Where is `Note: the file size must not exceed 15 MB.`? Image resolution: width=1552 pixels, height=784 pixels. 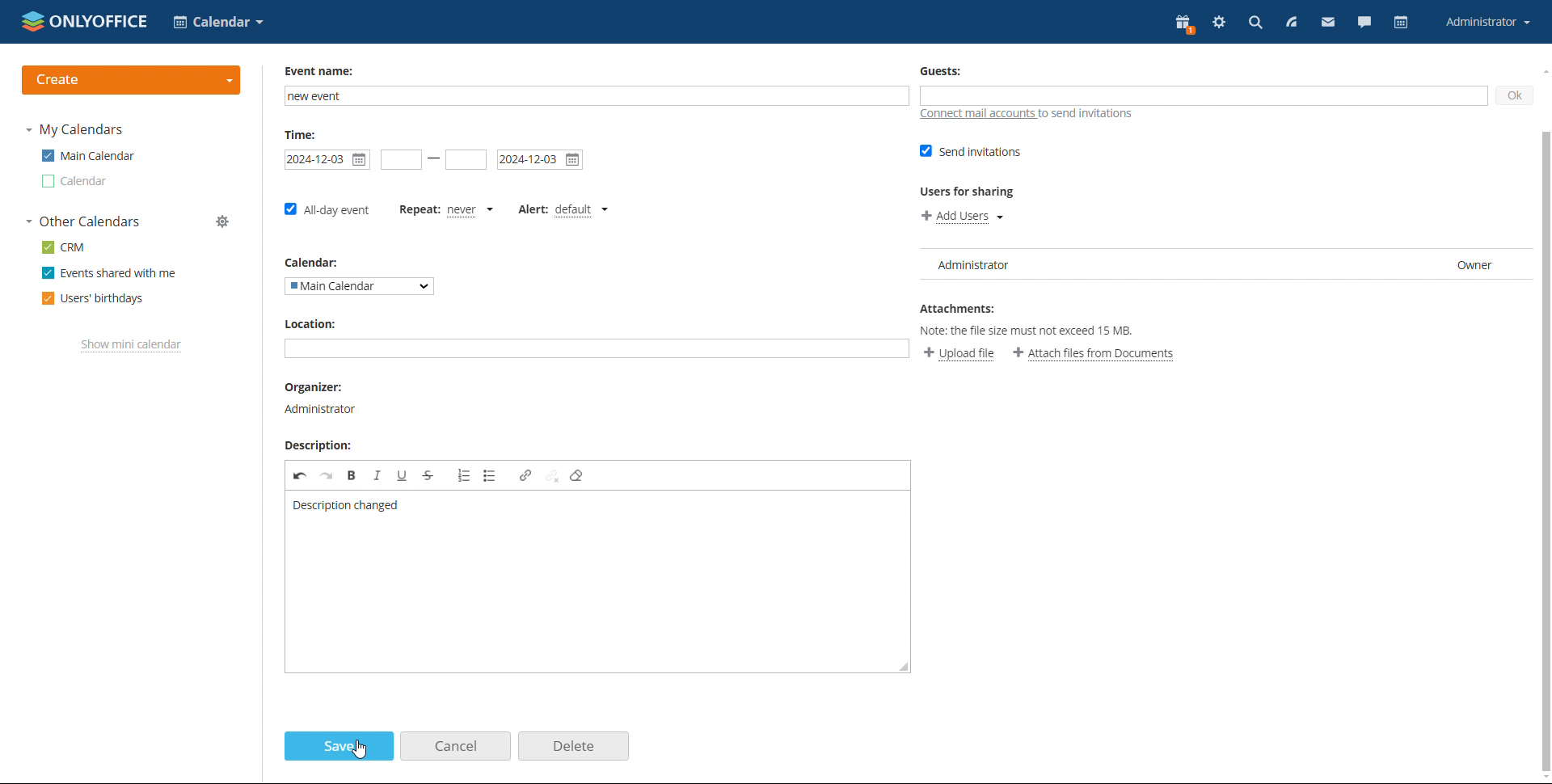 Note: the file size must not exceed 15 MB. is located at coordinates (1031, 331).